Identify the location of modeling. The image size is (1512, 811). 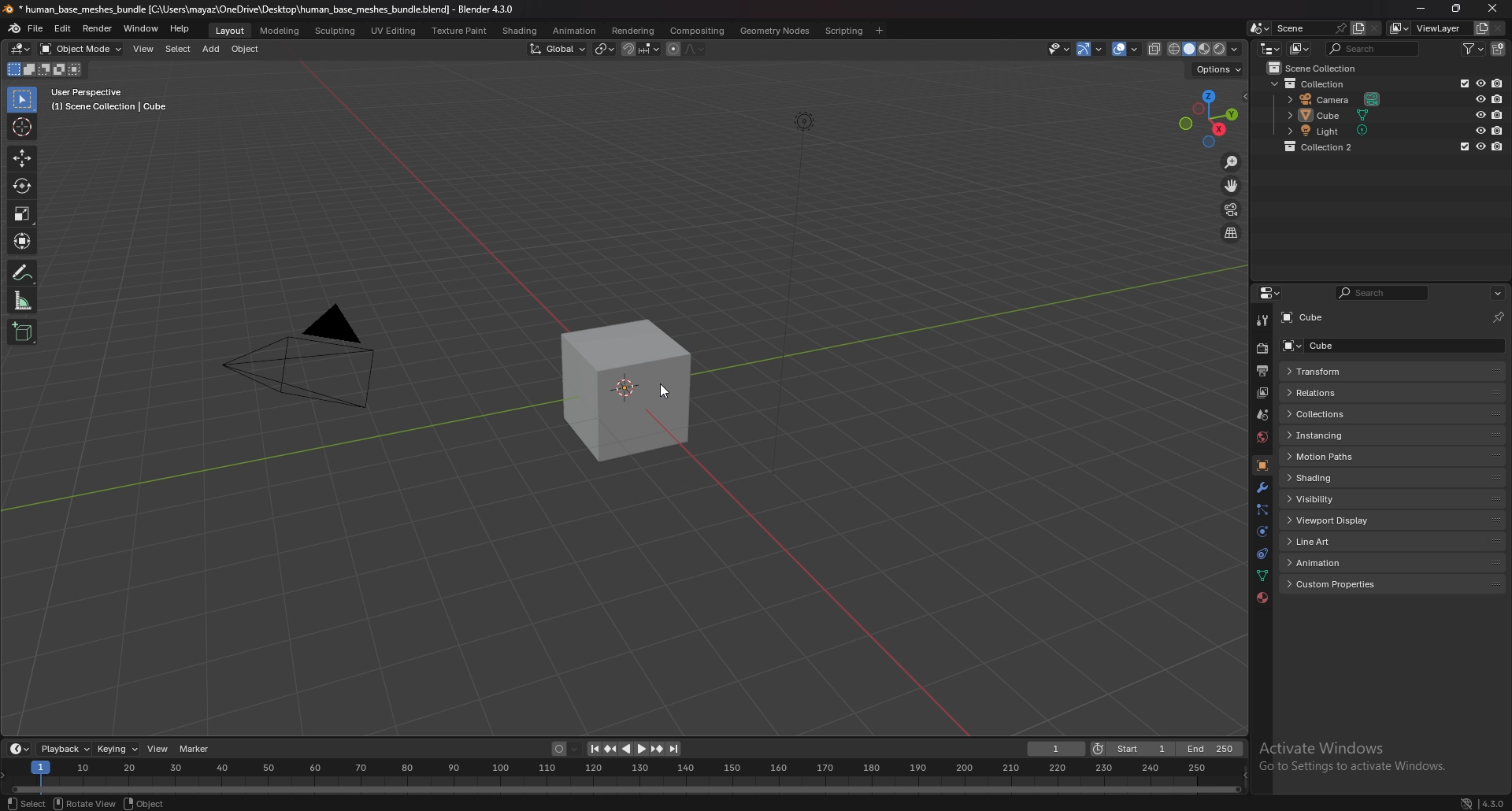
(281, 31).